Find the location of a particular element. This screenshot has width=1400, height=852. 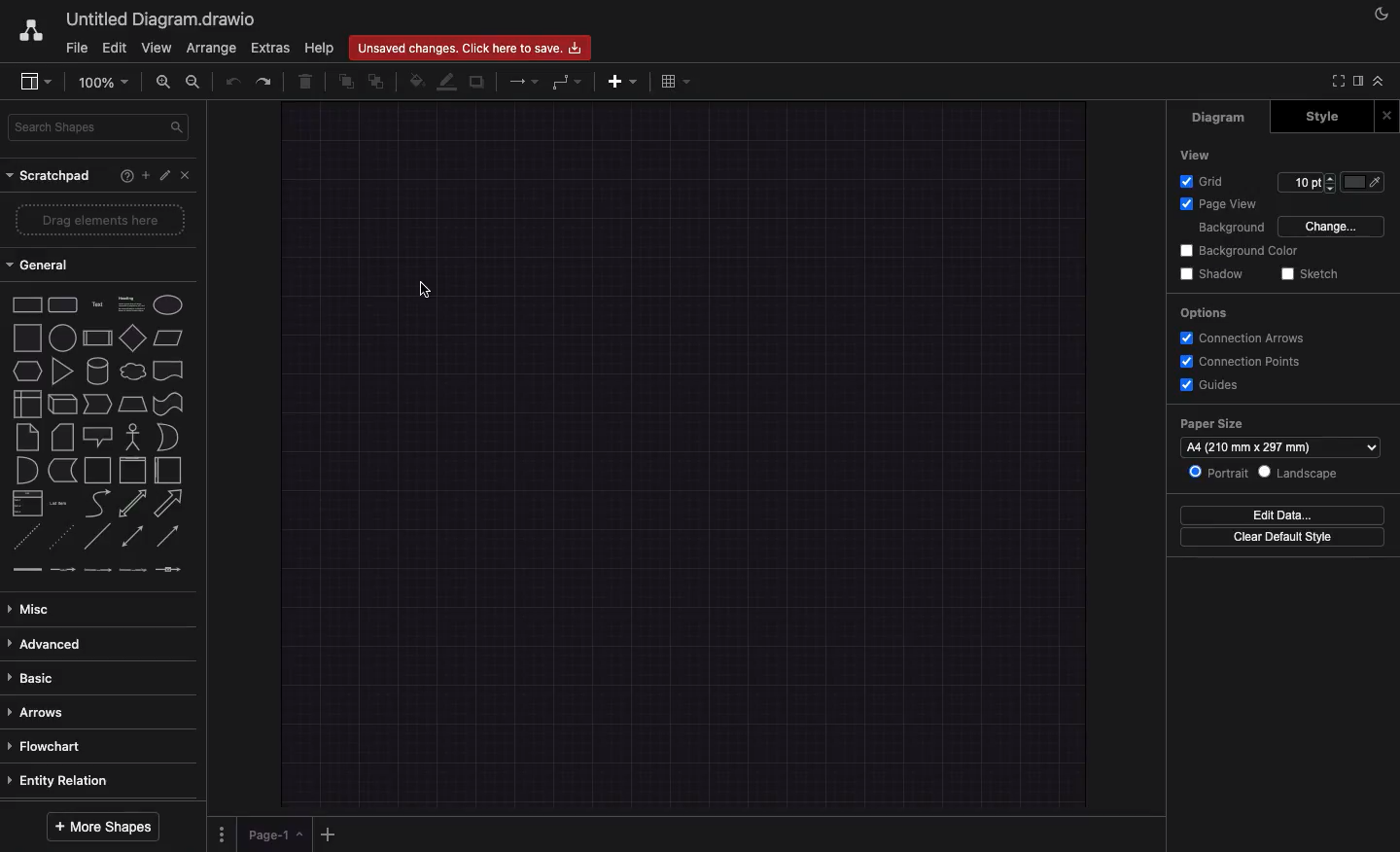

Guides is located at coordinates (1210, 385).